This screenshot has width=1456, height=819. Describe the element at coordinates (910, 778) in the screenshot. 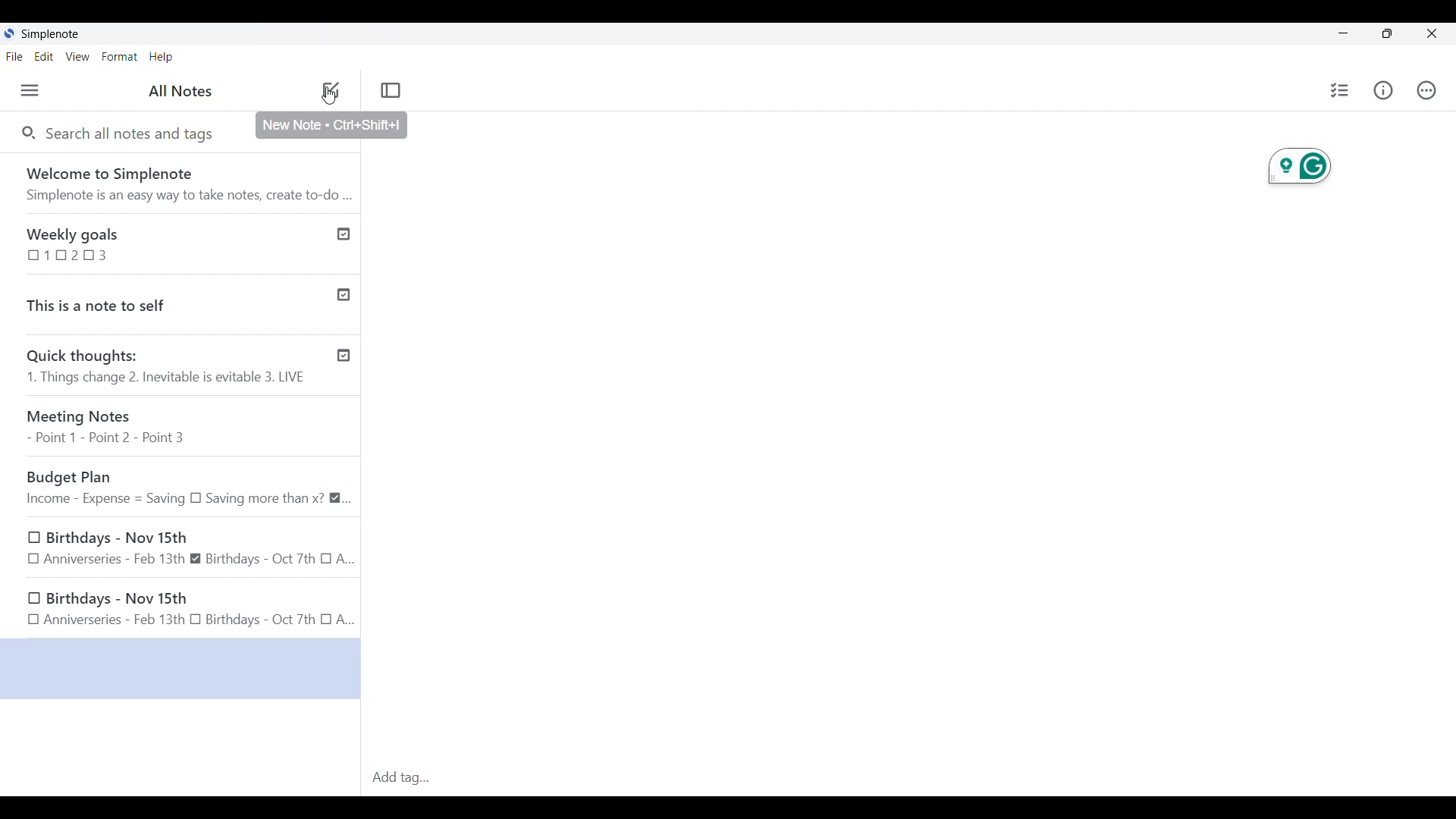

I see `Click to type in tag` at that location.